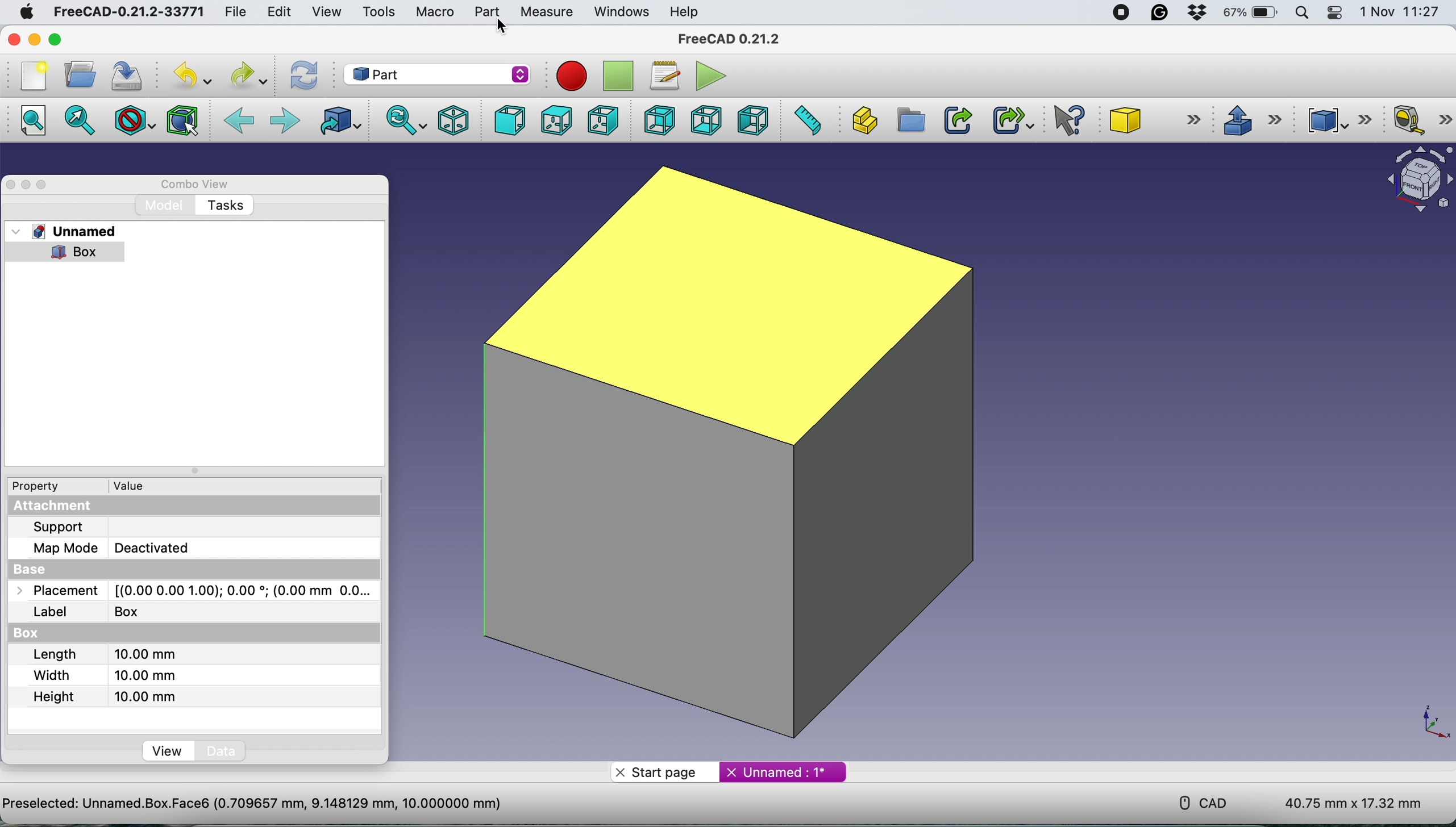 The image size is (1456, 827). What do you see at coordinates (166, 751) in the screenshot?
I see `view` at bounding box center [166, 751].